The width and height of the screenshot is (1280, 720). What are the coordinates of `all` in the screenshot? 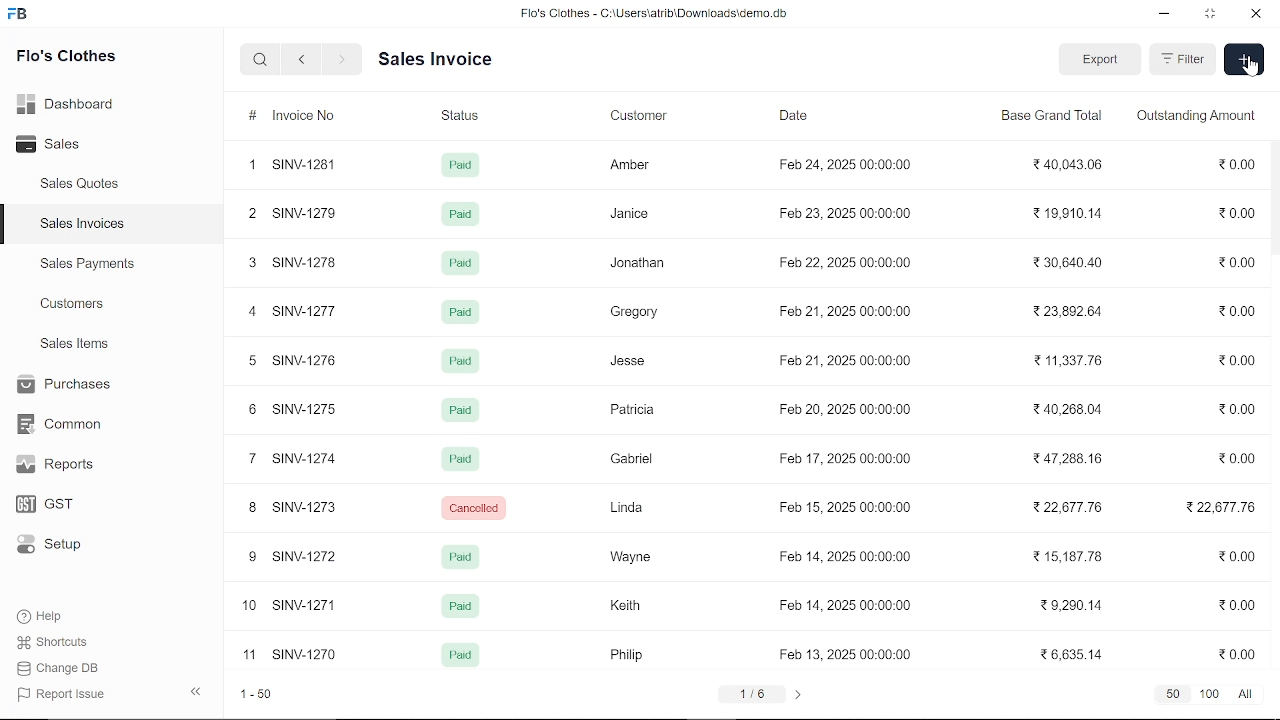 It's located at (1248, 693).